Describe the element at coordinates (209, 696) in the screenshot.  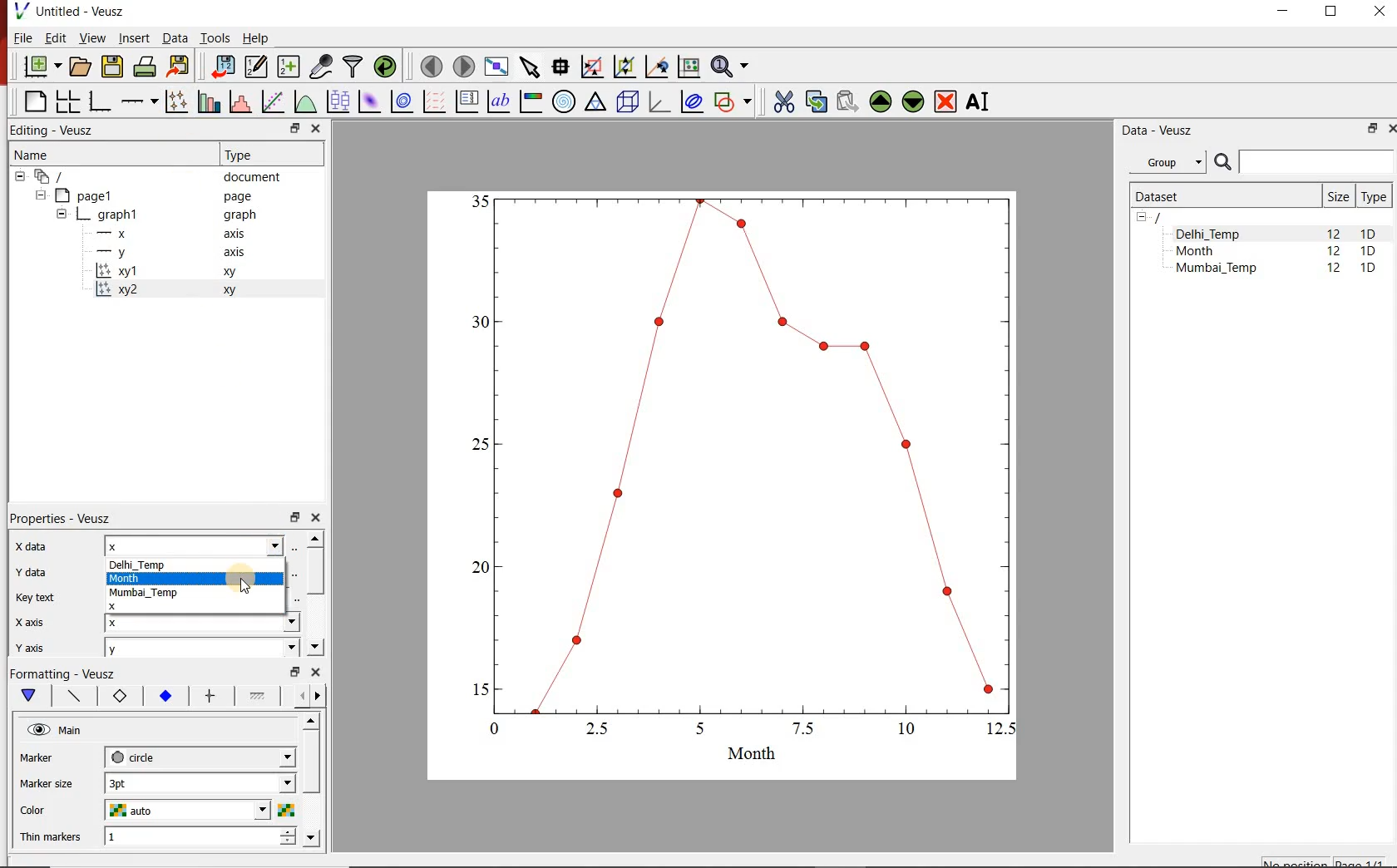
I see `major ticks` at that location.